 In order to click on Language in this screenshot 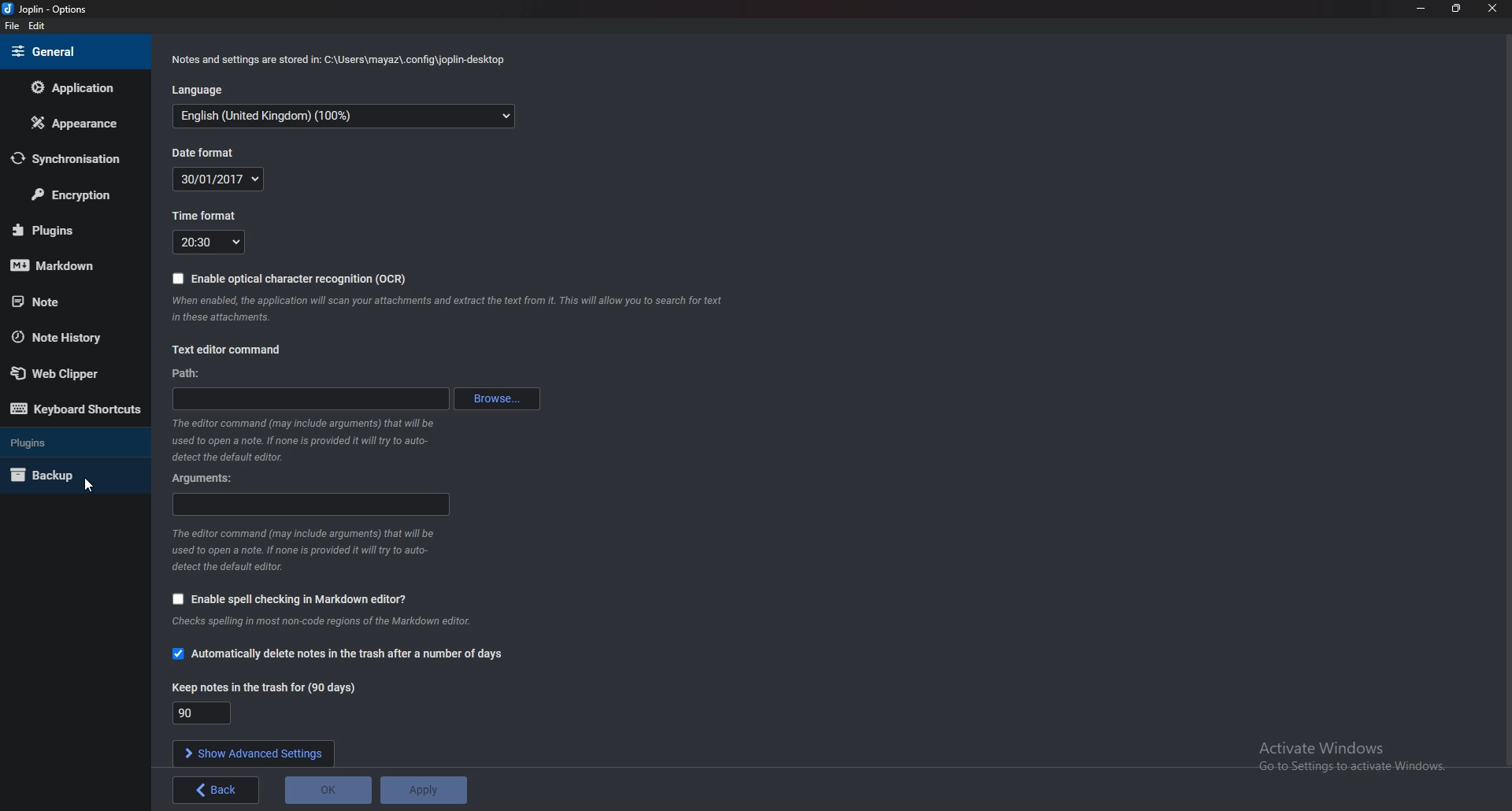, I will do `click(344, 116)`.